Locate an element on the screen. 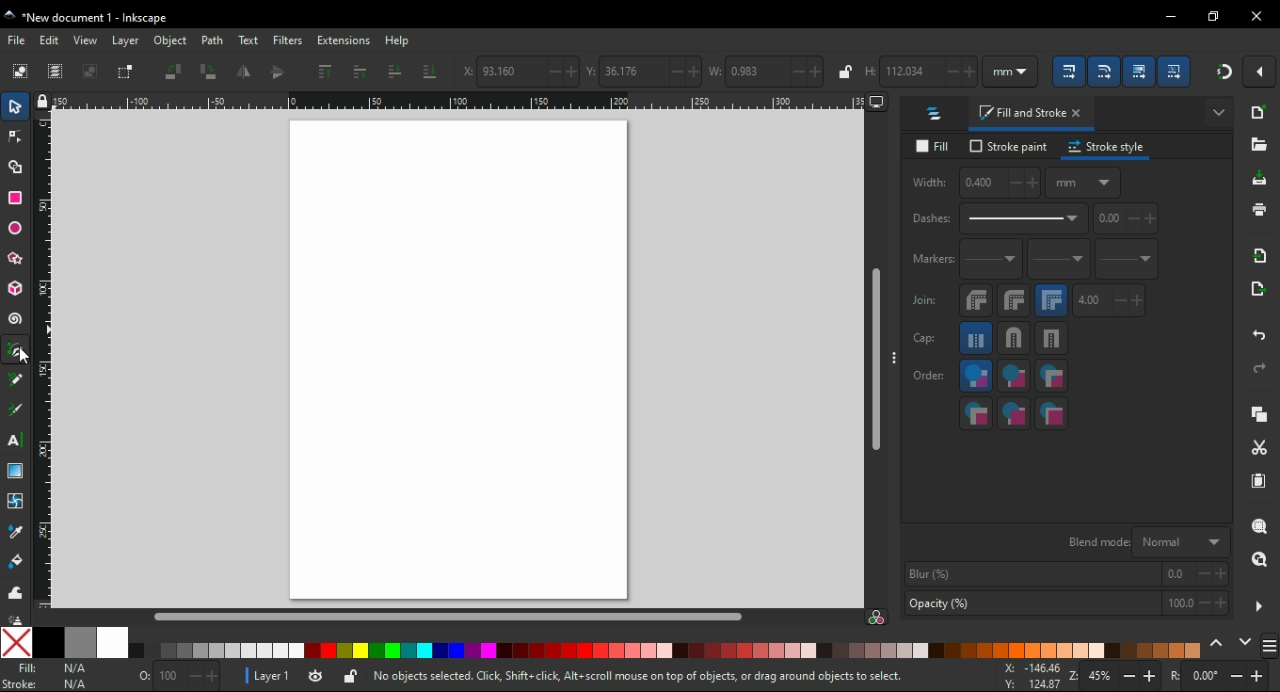 This screenshot has height=692, width=1280. rotation is located at coordinates (1218, 677).